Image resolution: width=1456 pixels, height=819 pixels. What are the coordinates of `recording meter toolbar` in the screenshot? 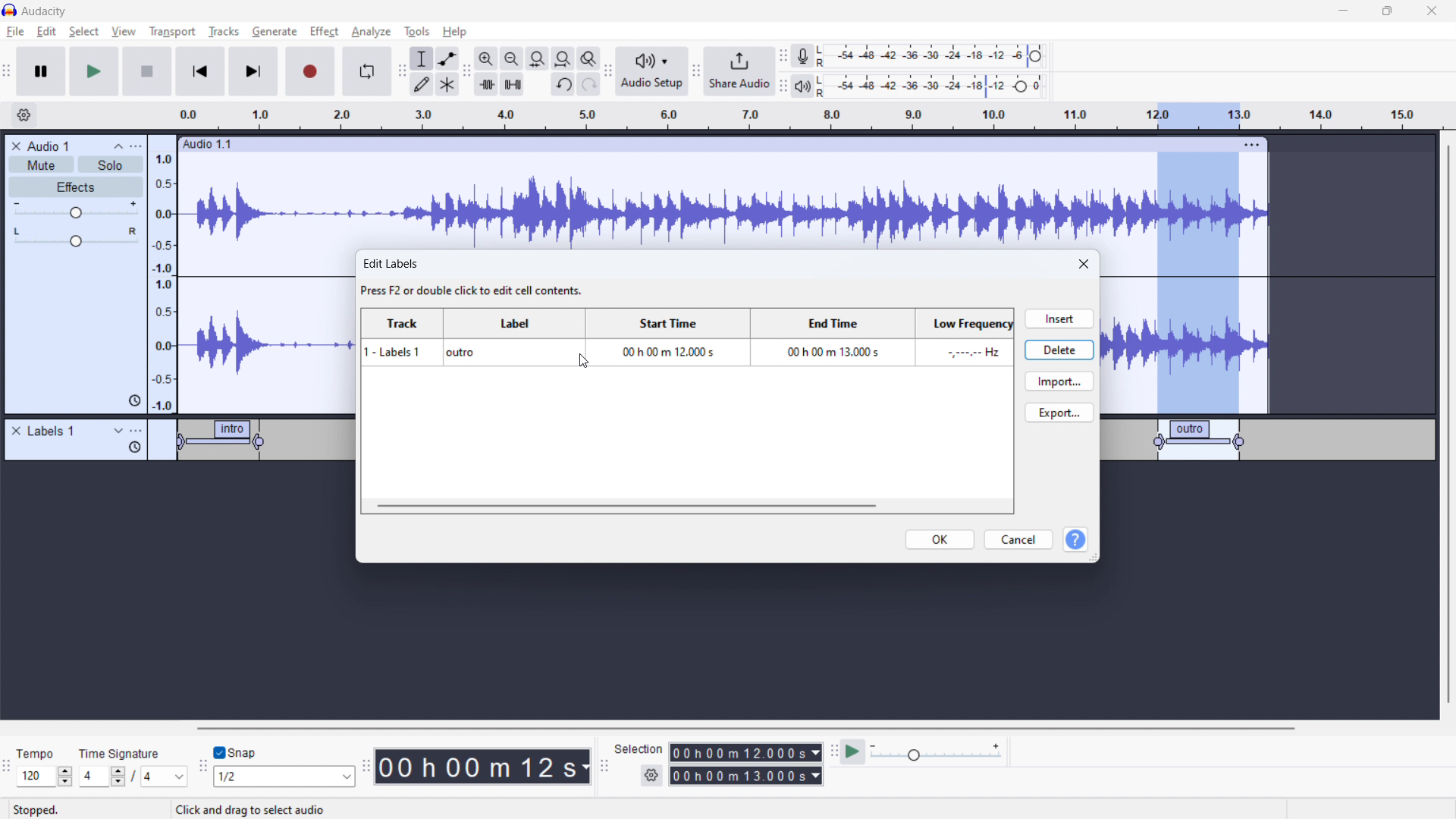 It's located at (783, 58).